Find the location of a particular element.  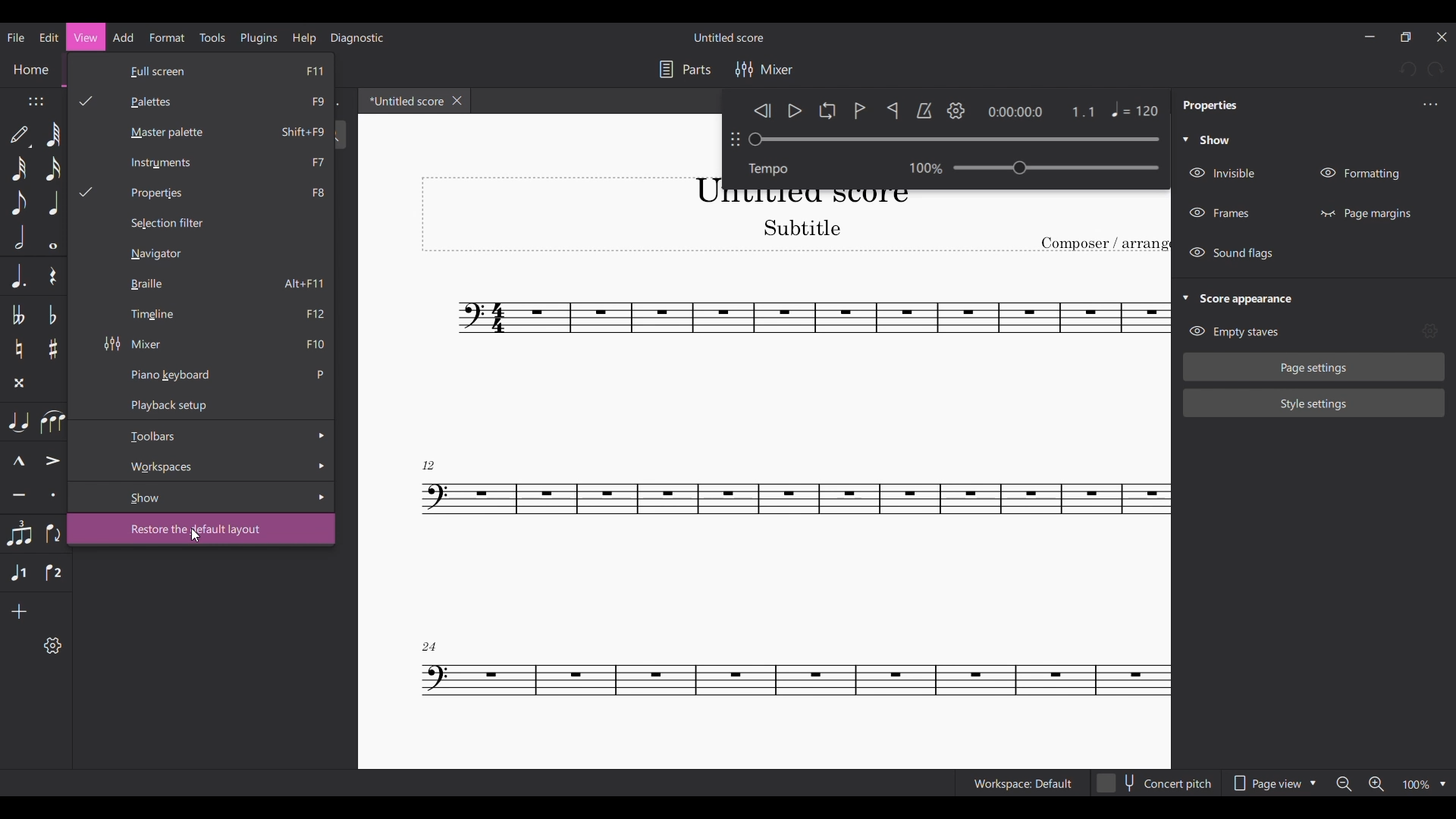

Redo is located at coordinates (1436, 70).